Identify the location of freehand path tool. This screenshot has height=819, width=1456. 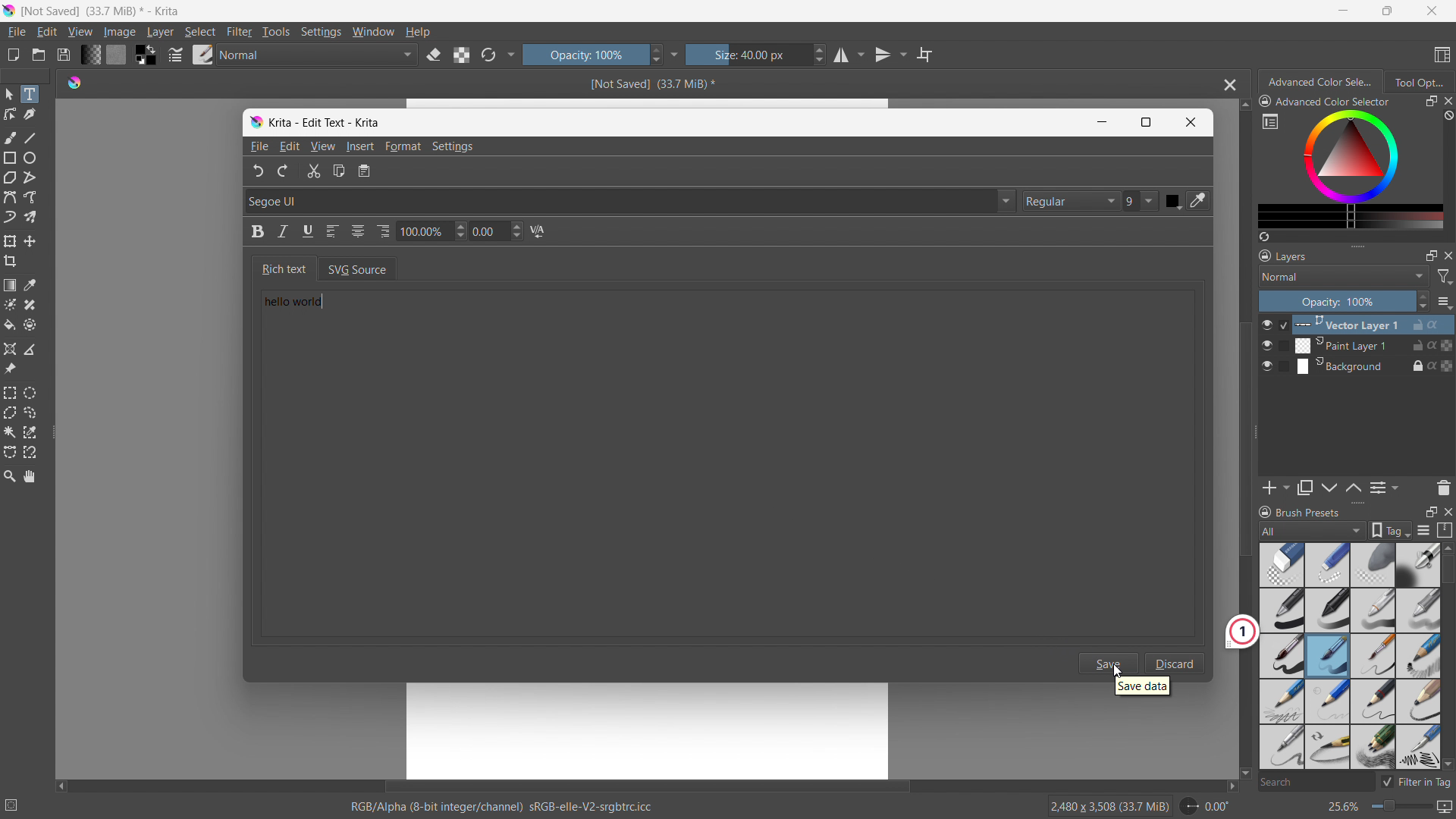
(30, 197).